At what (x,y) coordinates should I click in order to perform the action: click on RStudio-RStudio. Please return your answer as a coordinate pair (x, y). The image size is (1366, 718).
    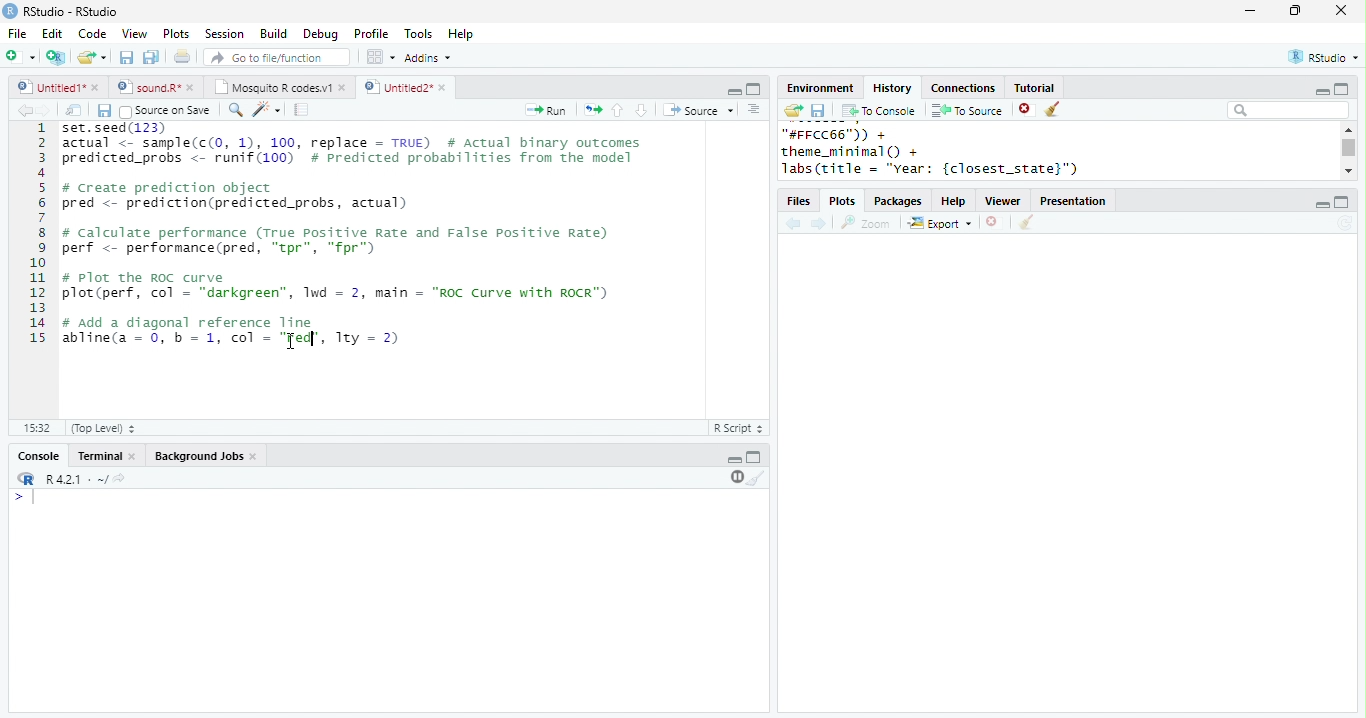
    Looking at the image, I should click on (75, 12).